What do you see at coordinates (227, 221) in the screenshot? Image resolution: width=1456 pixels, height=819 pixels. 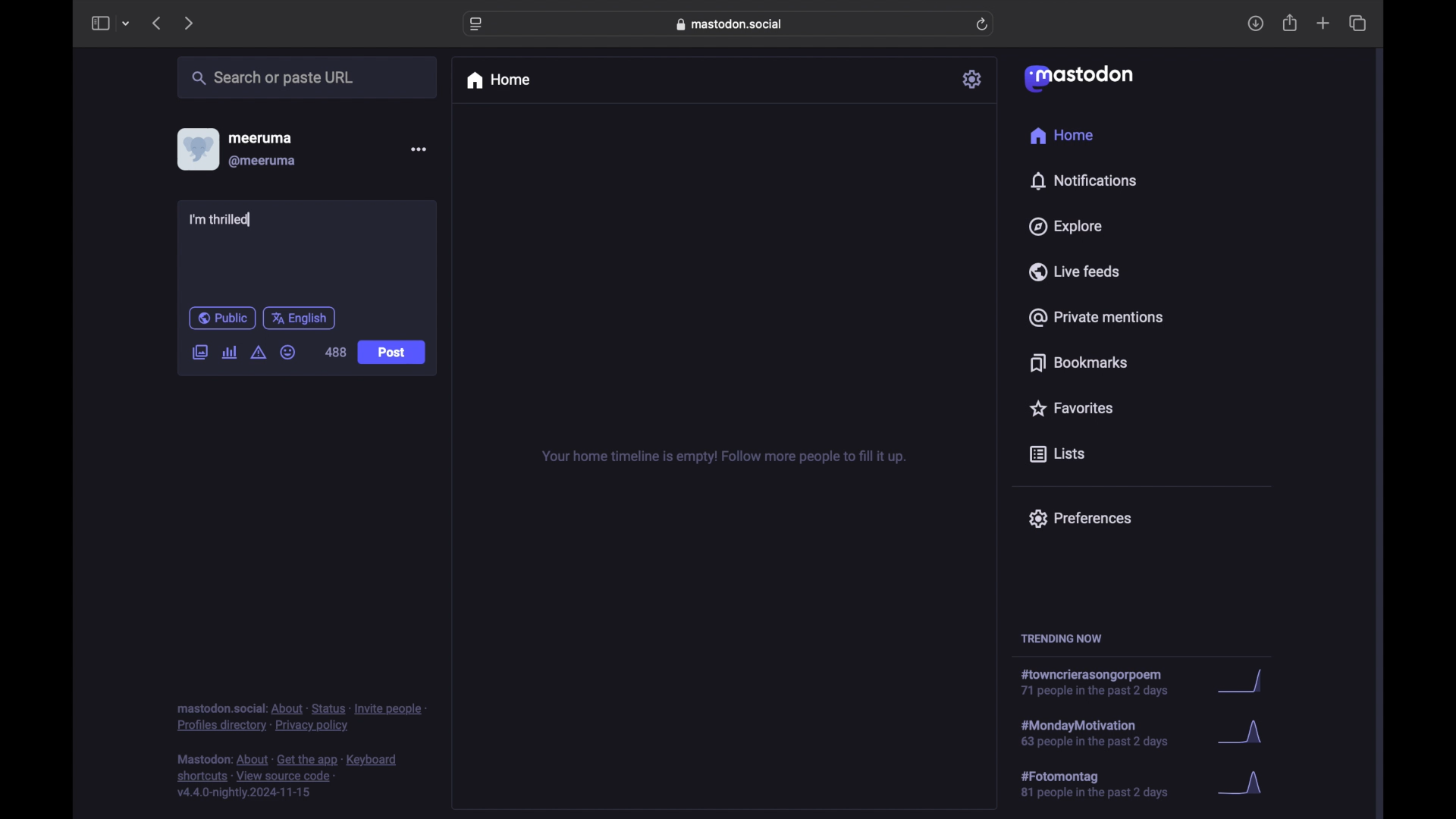 I see `I'm thrilled` at bounding box center [227, 221].